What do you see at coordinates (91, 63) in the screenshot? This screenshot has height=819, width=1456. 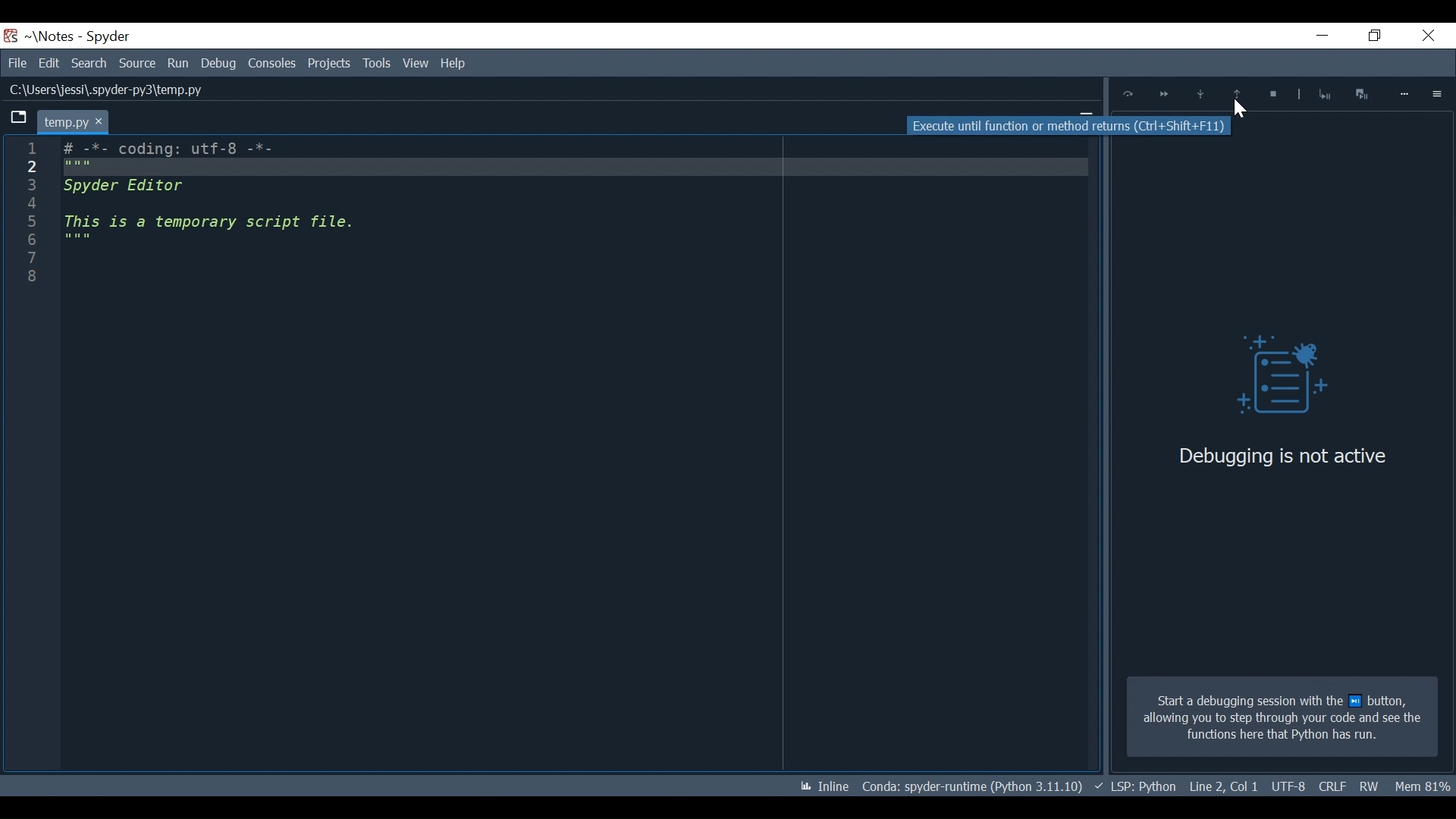 I see `Search` at bounding box center [91, 63].